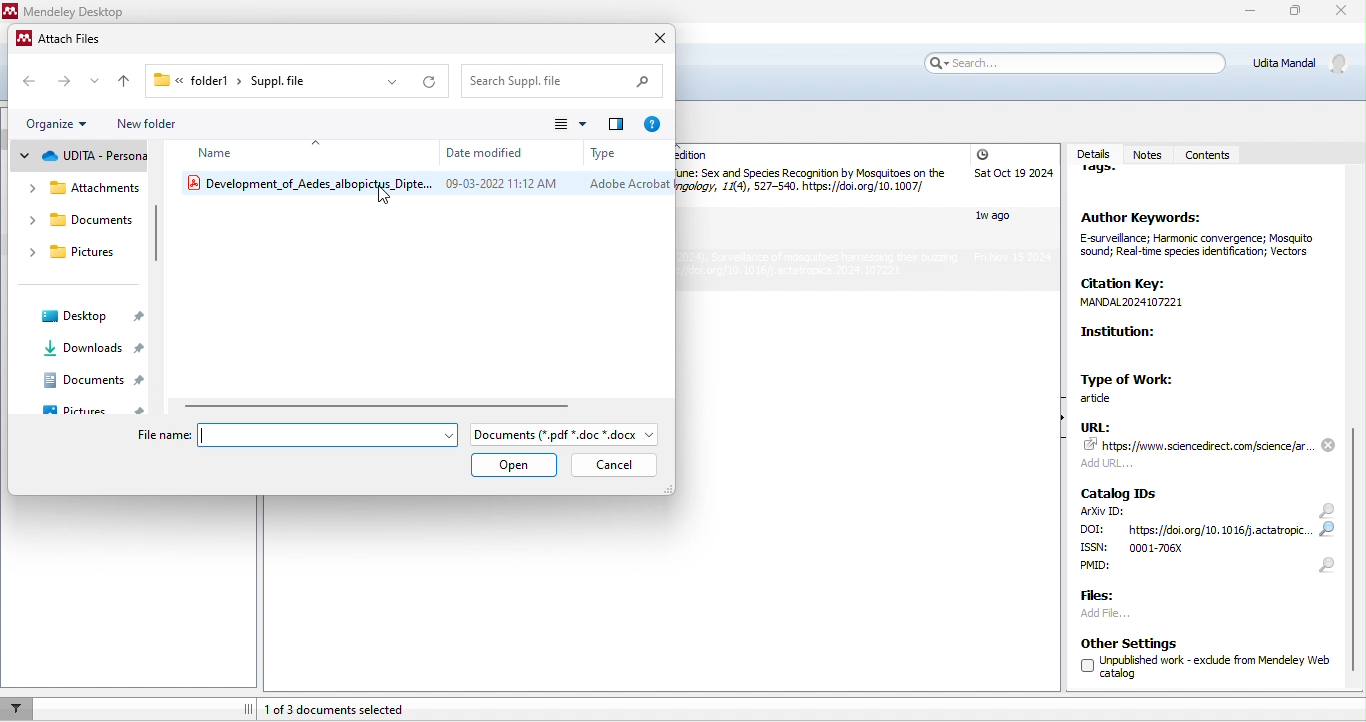 The width and height of the screenshot is (1366, 722). Describe the element at coordinates (91, 318) in the screenshot. I see `desktop` at that location.